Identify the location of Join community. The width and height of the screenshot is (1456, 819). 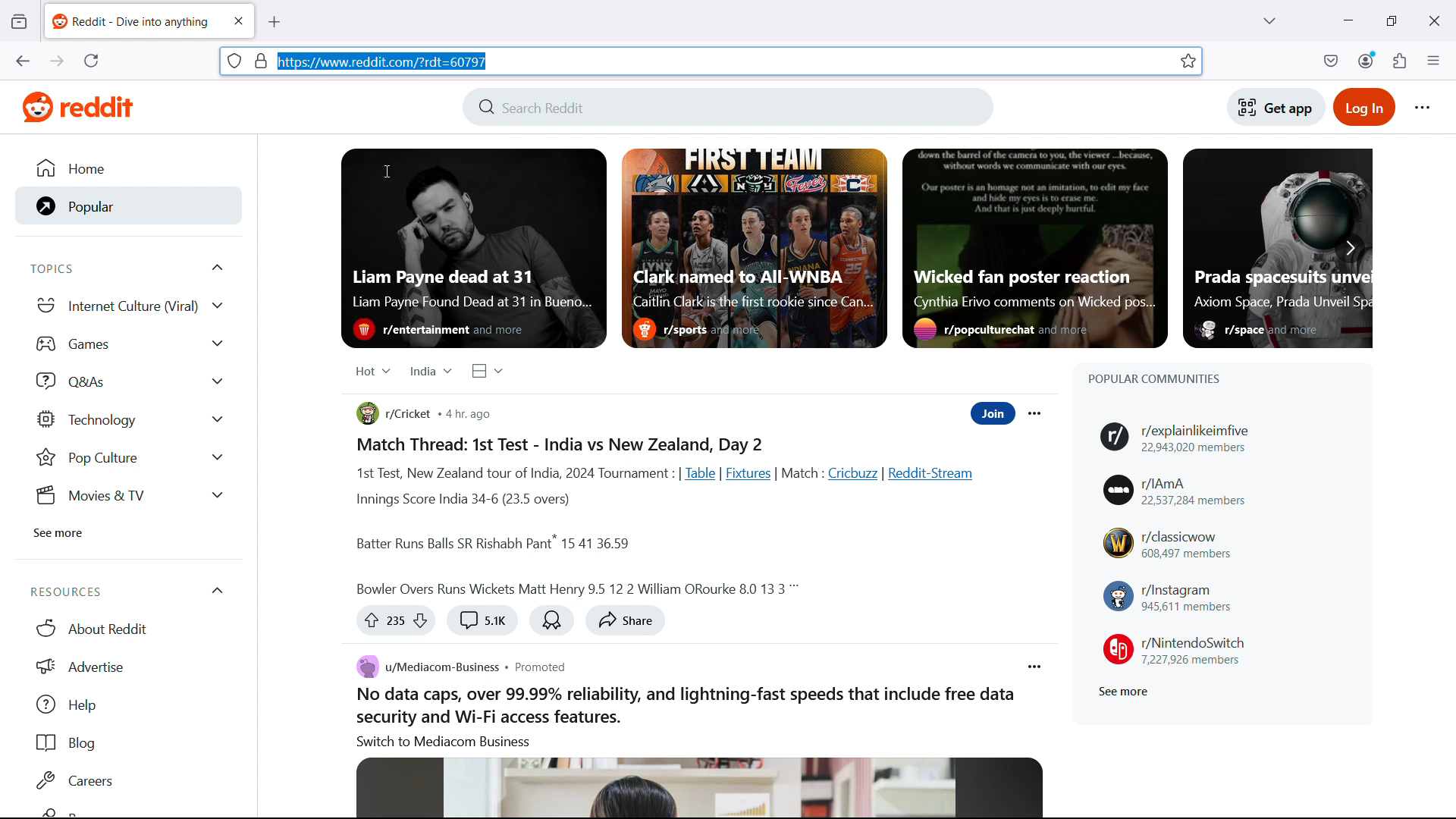
(993, 413).